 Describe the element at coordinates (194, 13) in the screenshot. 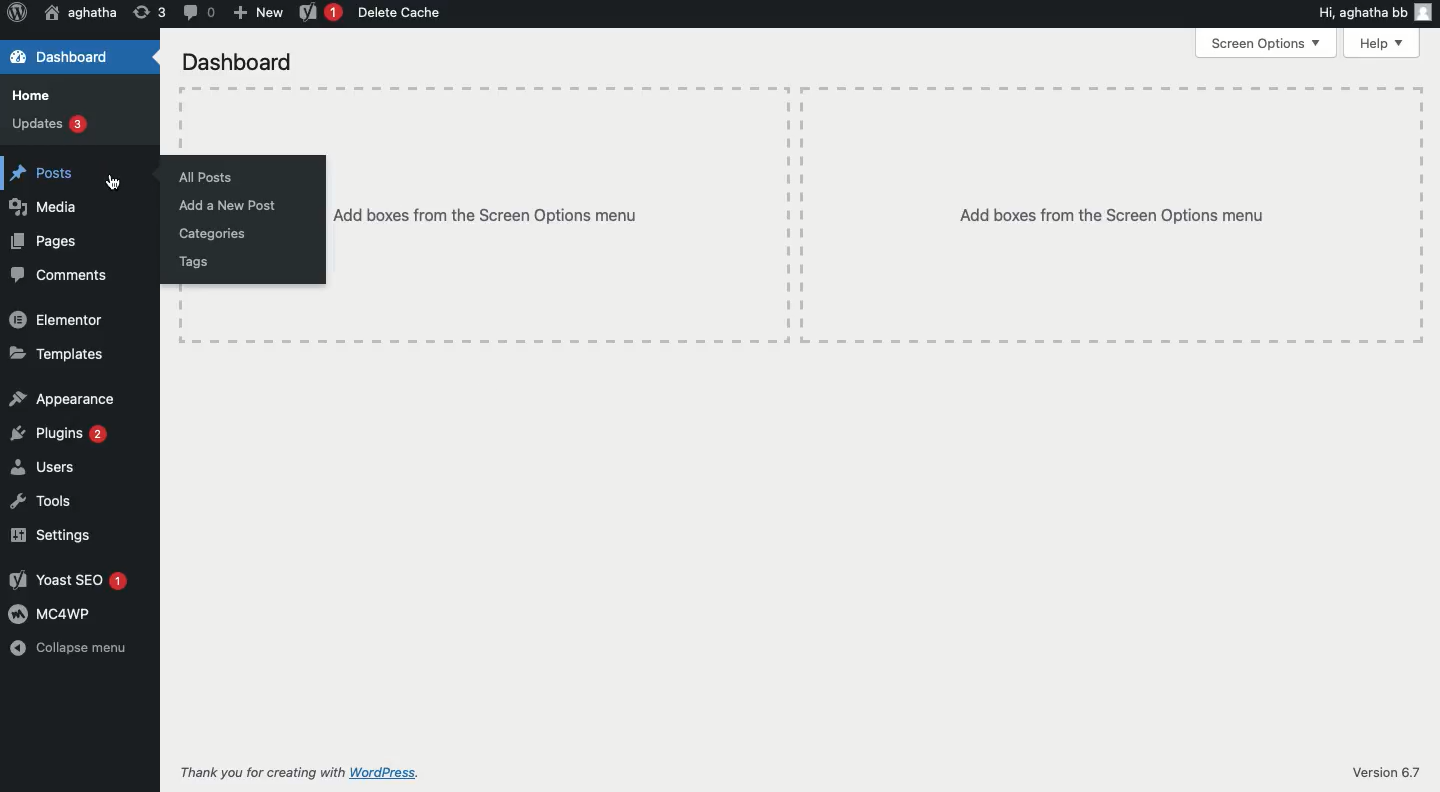

I see `Comment` at that location.